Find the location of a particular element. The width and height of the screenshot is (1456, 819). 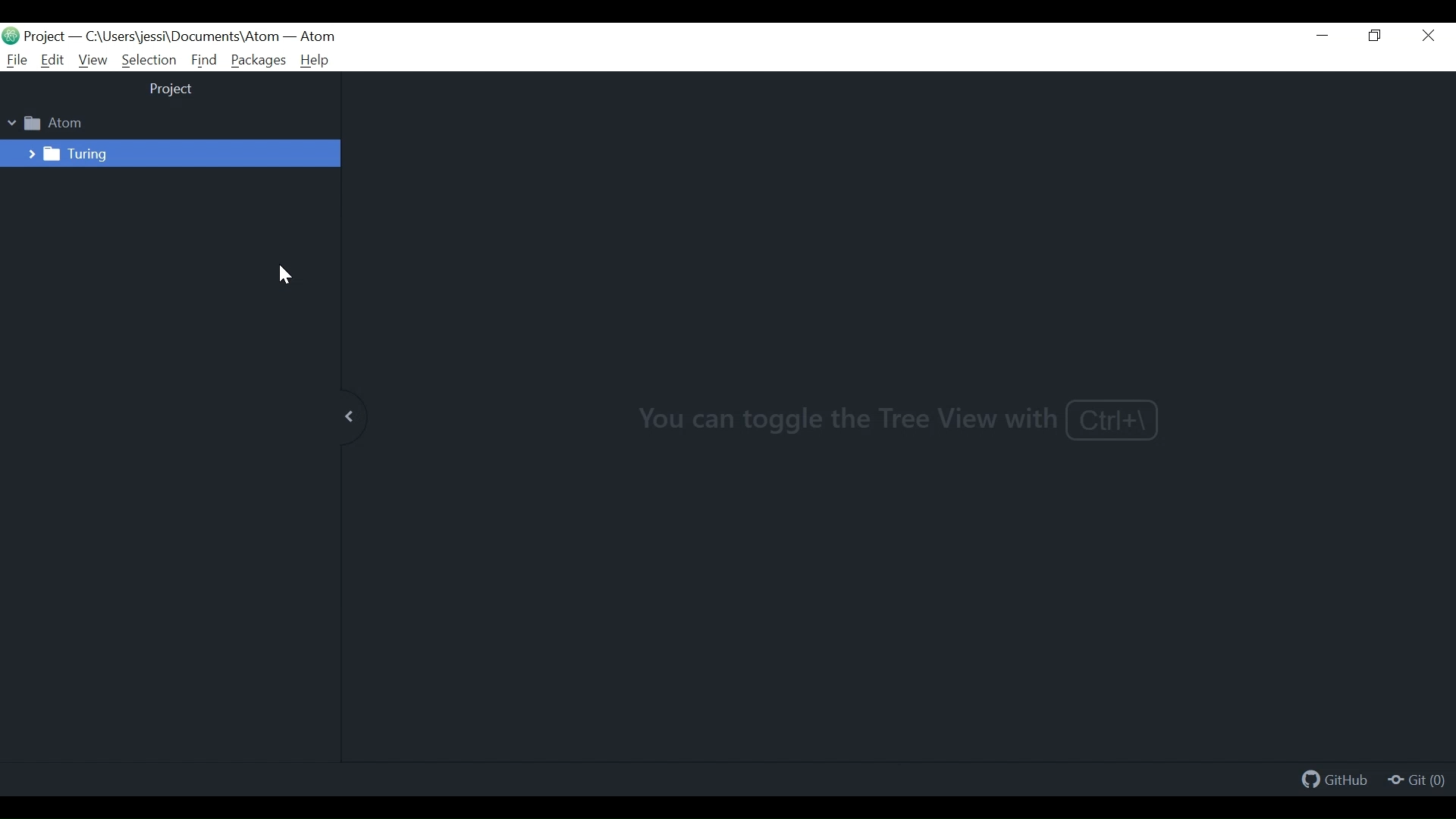

View is located at coordinates (92, 61).